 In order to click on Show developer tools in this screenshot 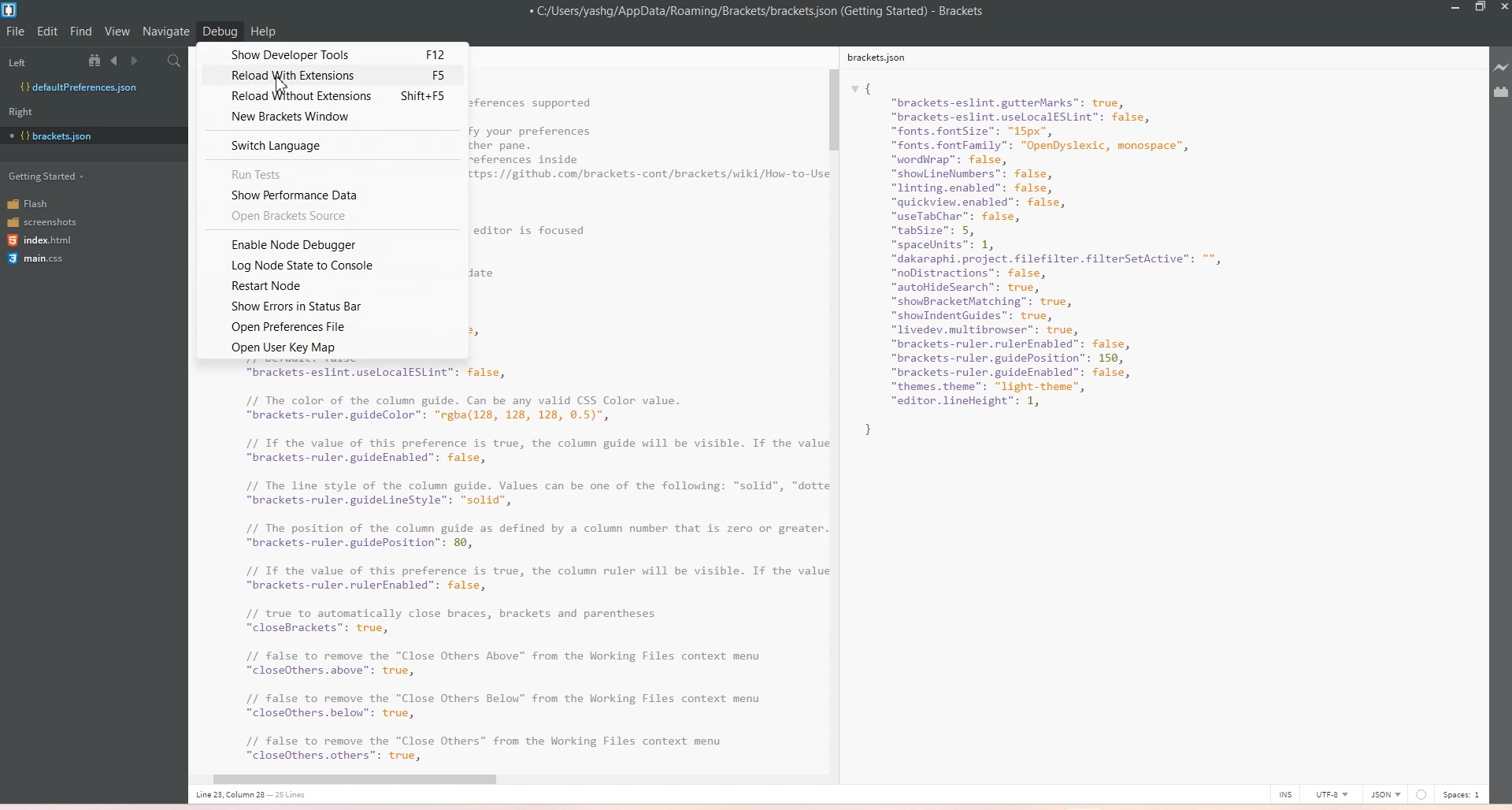, I will do `click(332, 53)`.